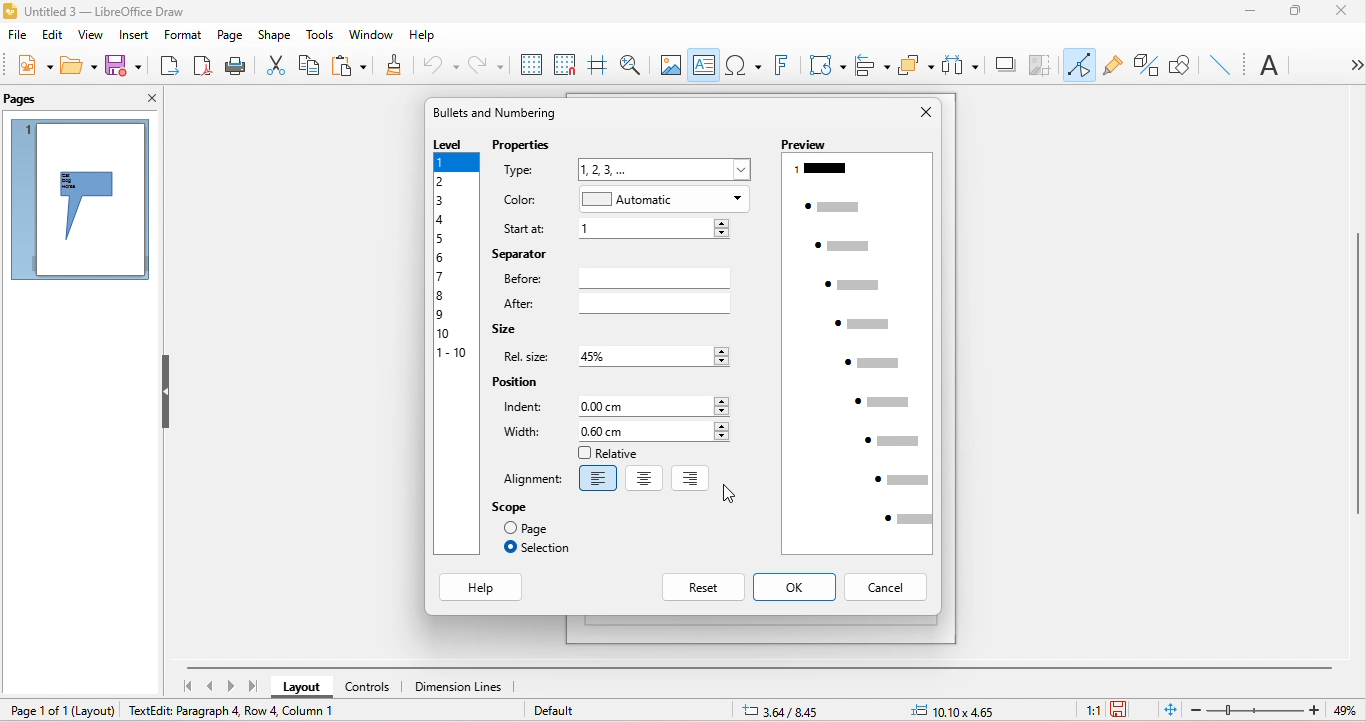 This screenshot has width=1366, height=722. What do you see at coordinates (520, 380) in the screenshot?
I see `position` at bounding box center [520, 380].